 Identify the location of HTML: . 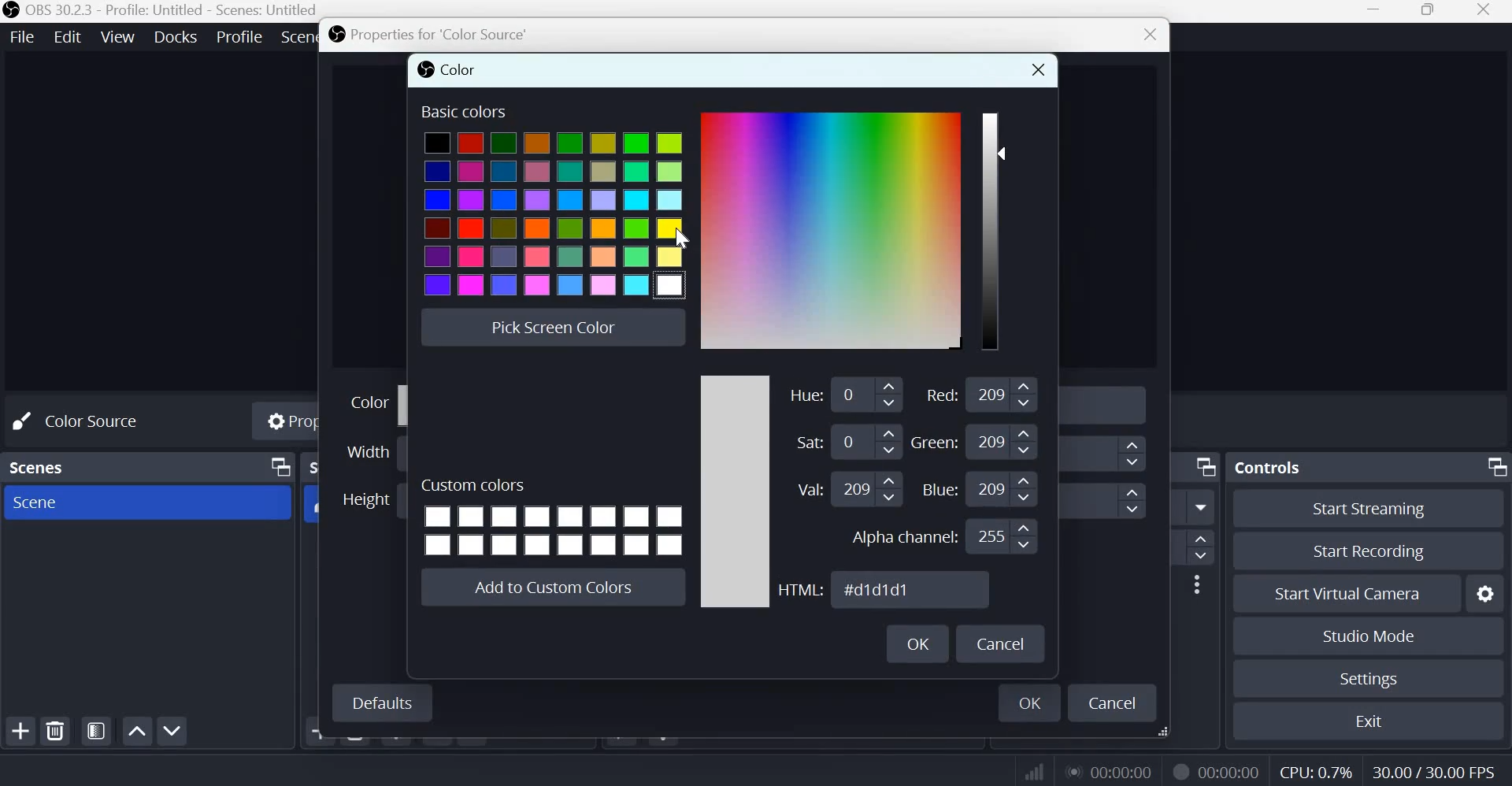
(802, 588).